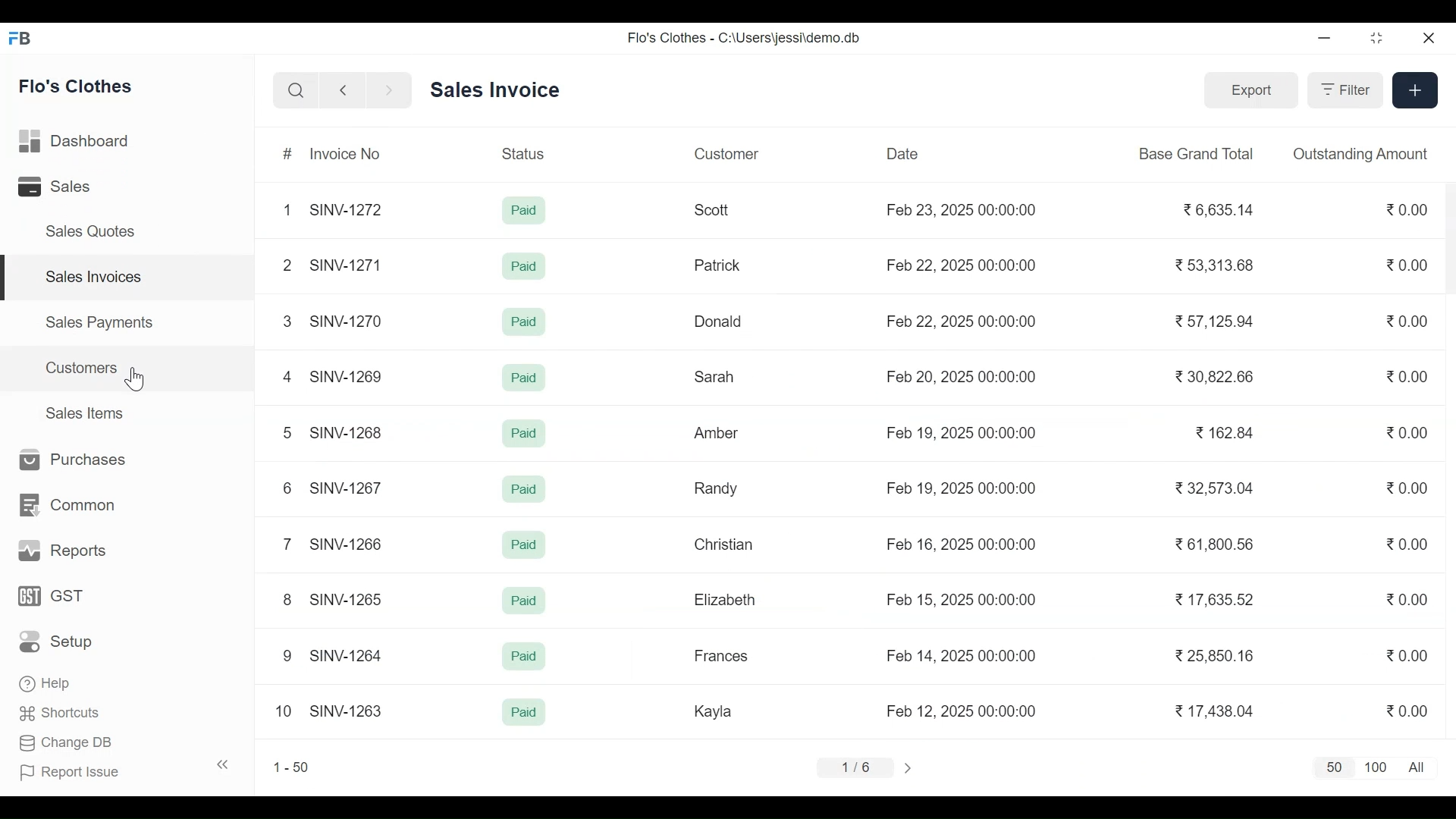 The height and width of the screenshot is (819, 1456). I want to click on Paid, so click(523, 488).